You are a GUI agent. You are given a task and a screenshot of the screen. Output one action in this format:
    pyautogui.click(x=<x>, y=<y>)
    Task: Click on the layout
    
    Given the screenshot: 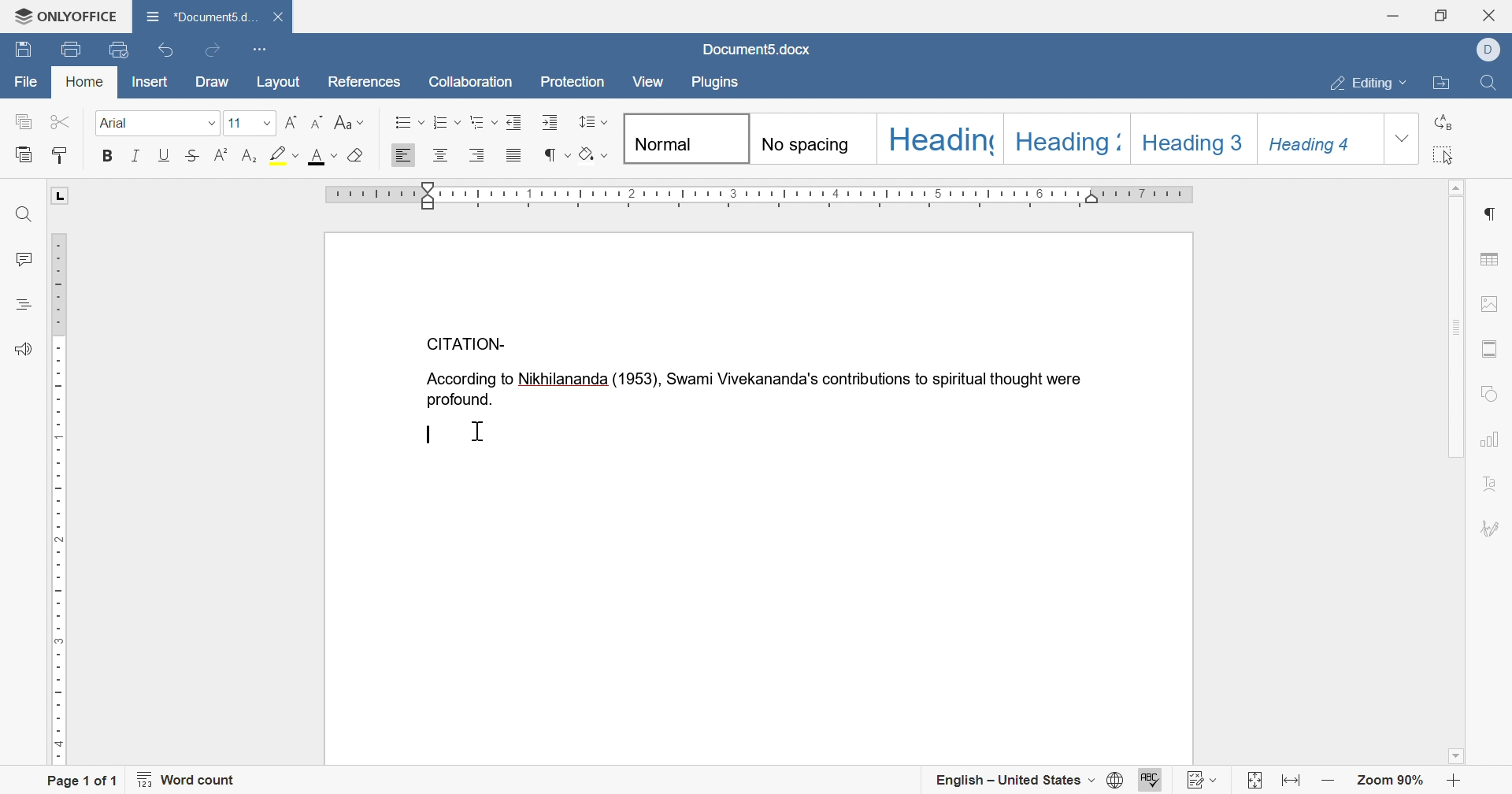 What is the action you would take?
    pyautogui.click(x=276, y=85)
    